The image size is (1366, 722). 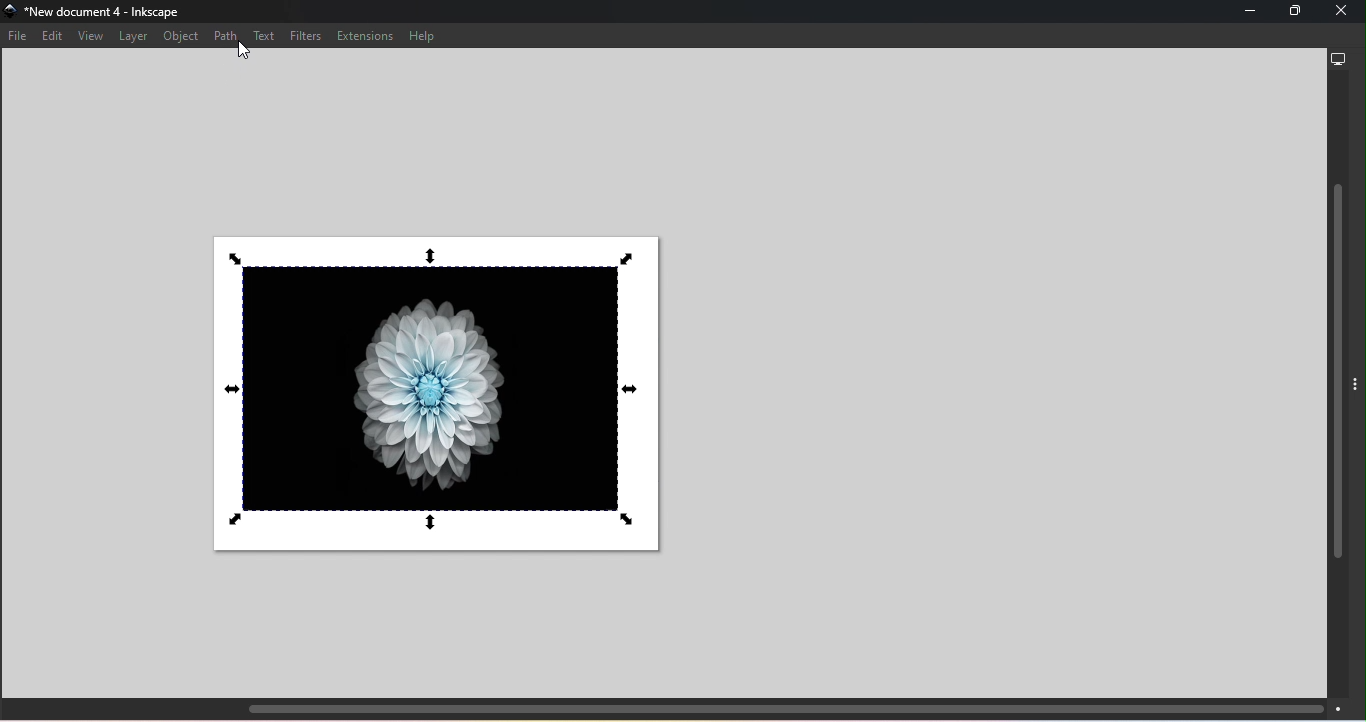 I want to click on Layer, so click(x=132, y=36).